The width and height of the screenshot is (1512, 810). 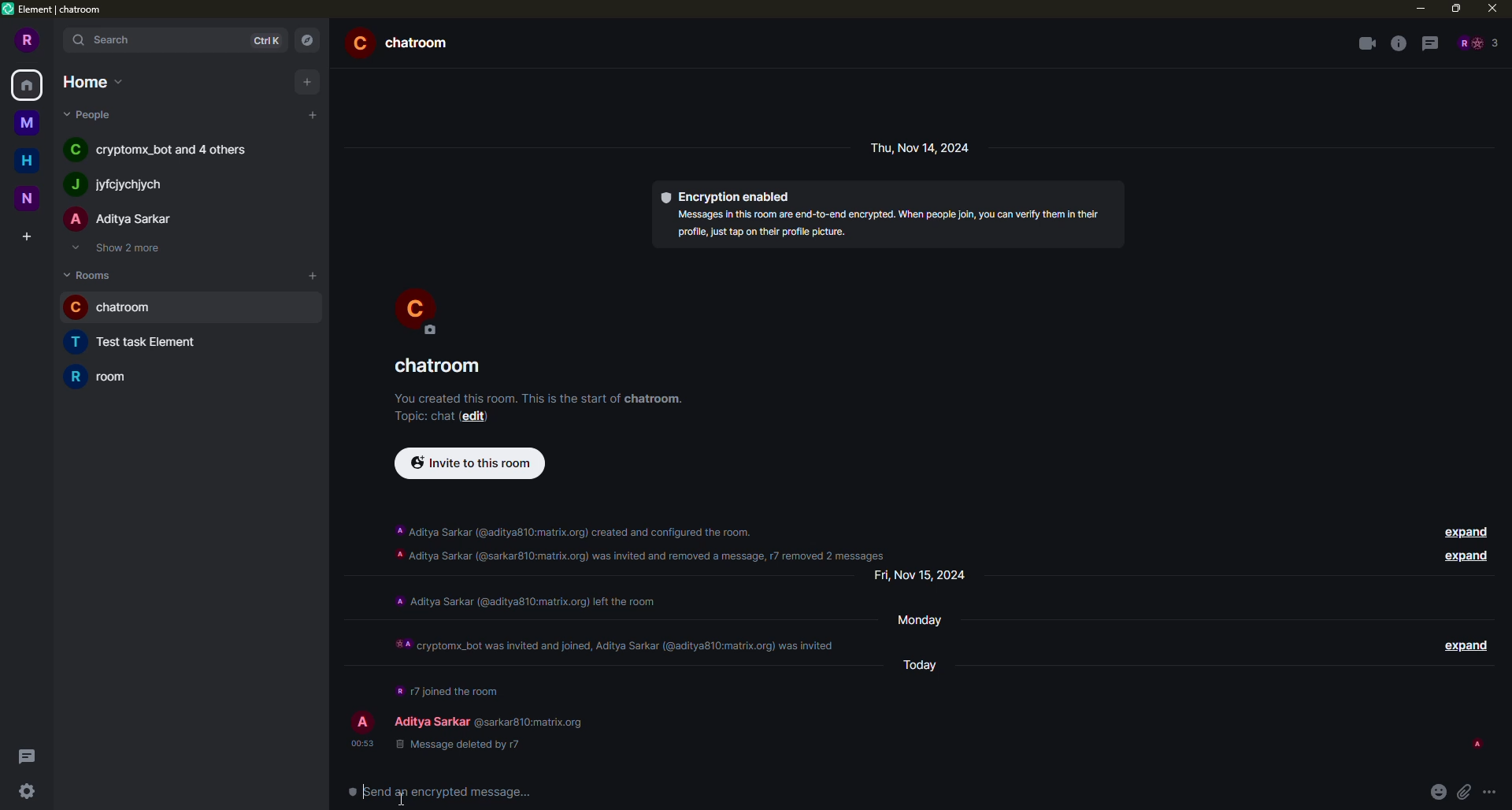 What do you see at coordinates (312, 273) in the screenshot?
I see `add` at bounding box center [312, 273].